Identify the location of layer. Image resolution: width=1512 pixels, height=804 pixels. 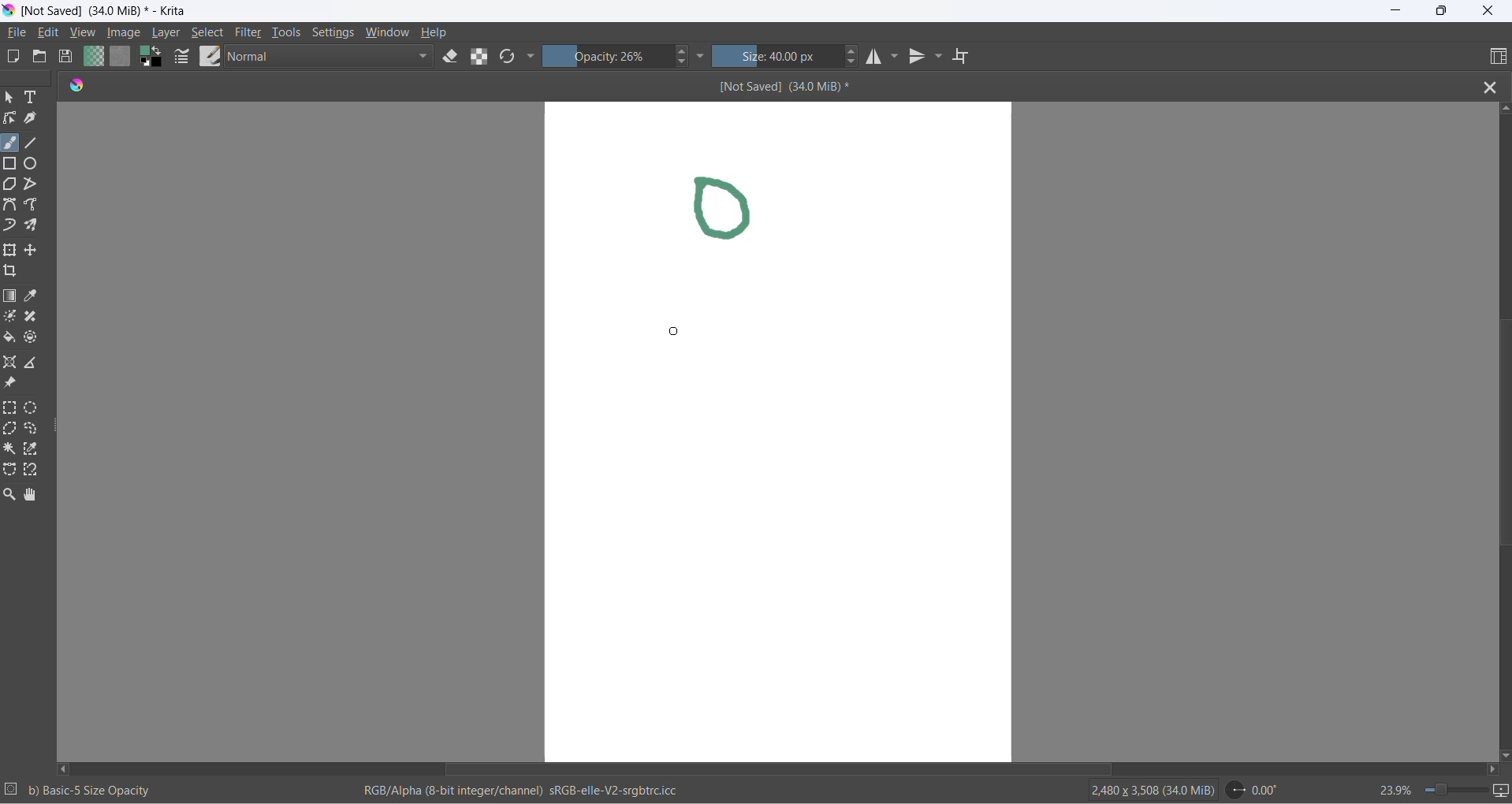
(167, 32).